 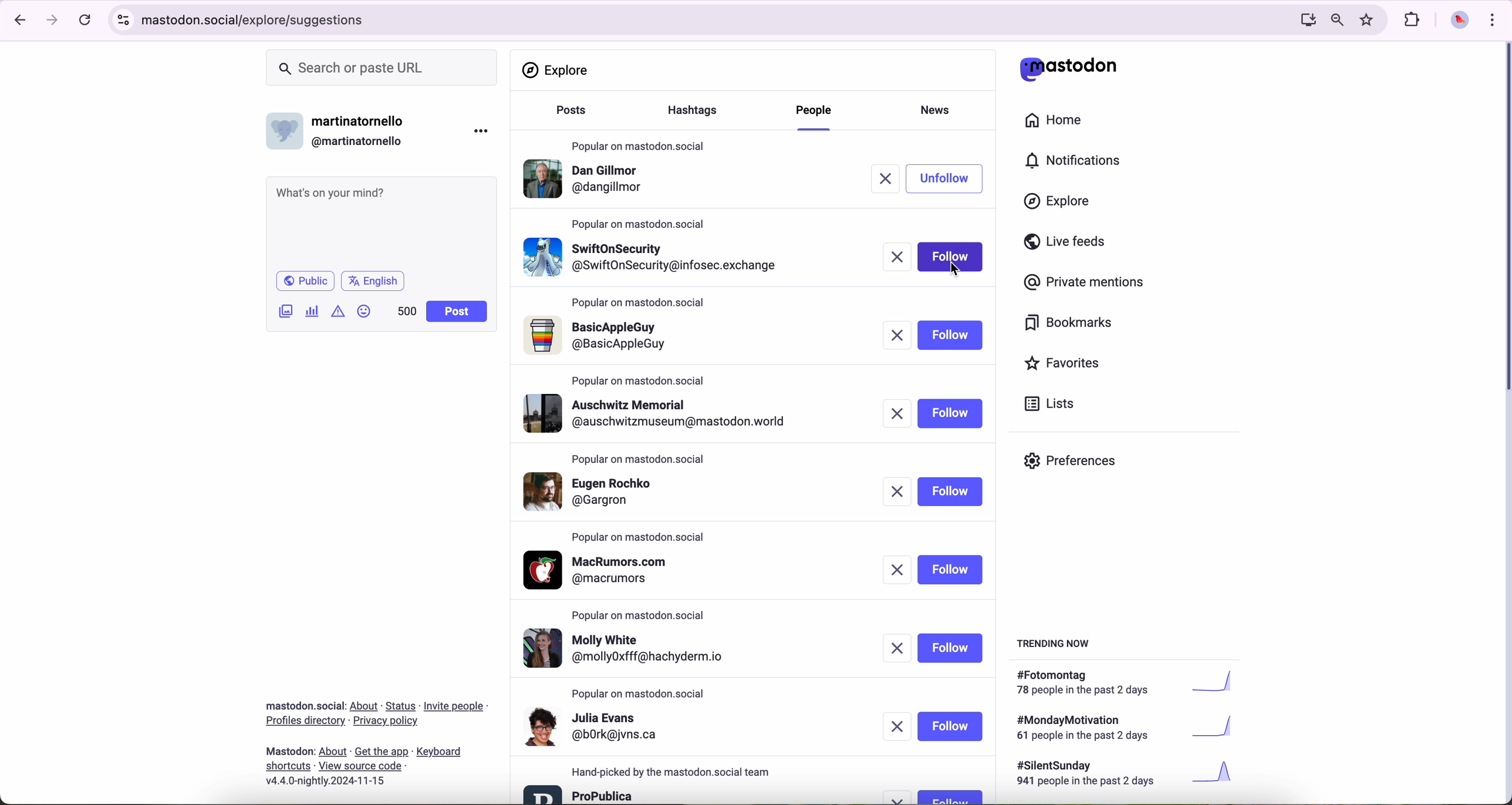 I want to click on news, so click(x=939, y=109).